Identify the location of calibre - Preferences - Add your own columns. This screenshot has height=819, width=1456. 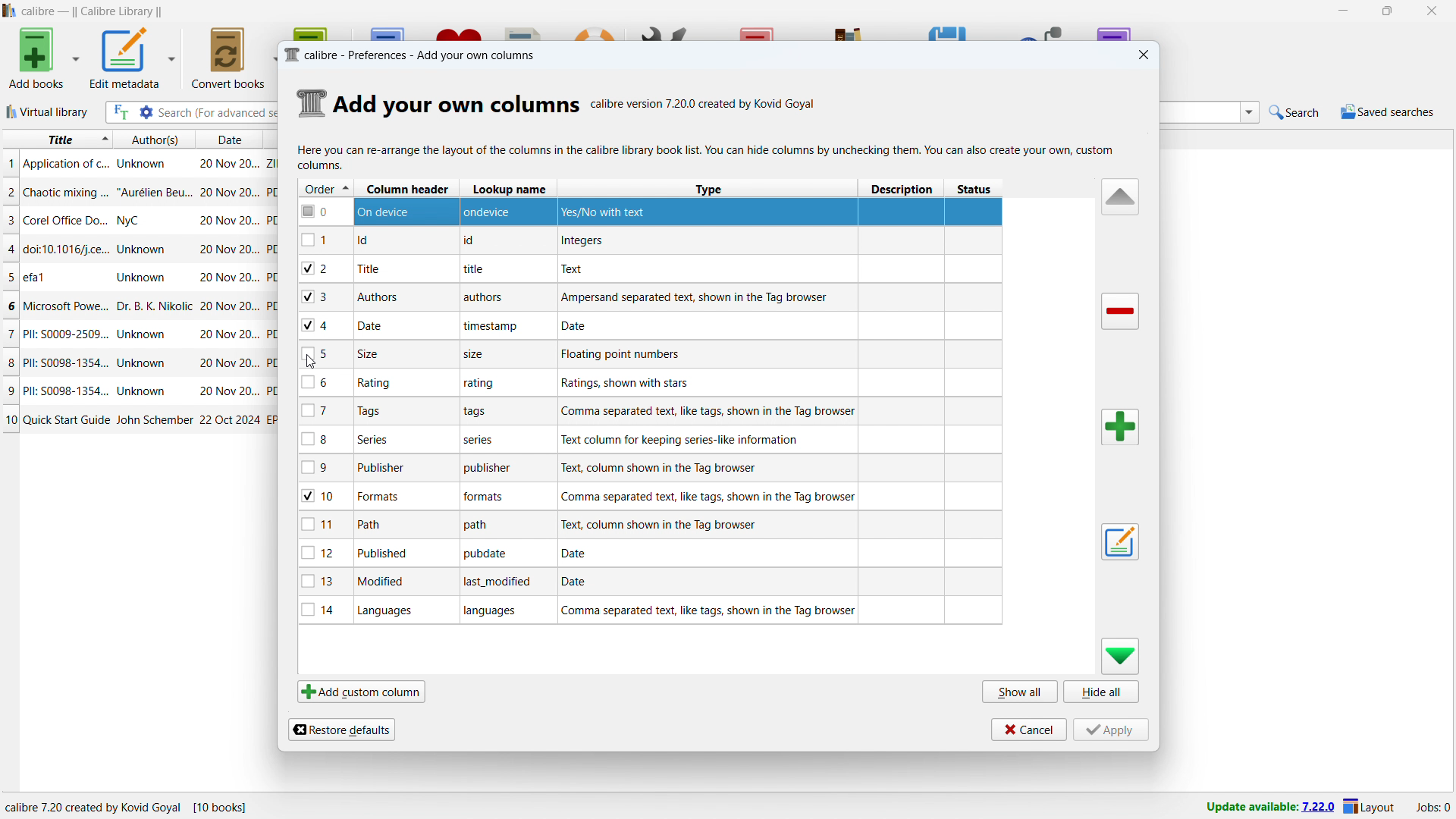
(427, 54).